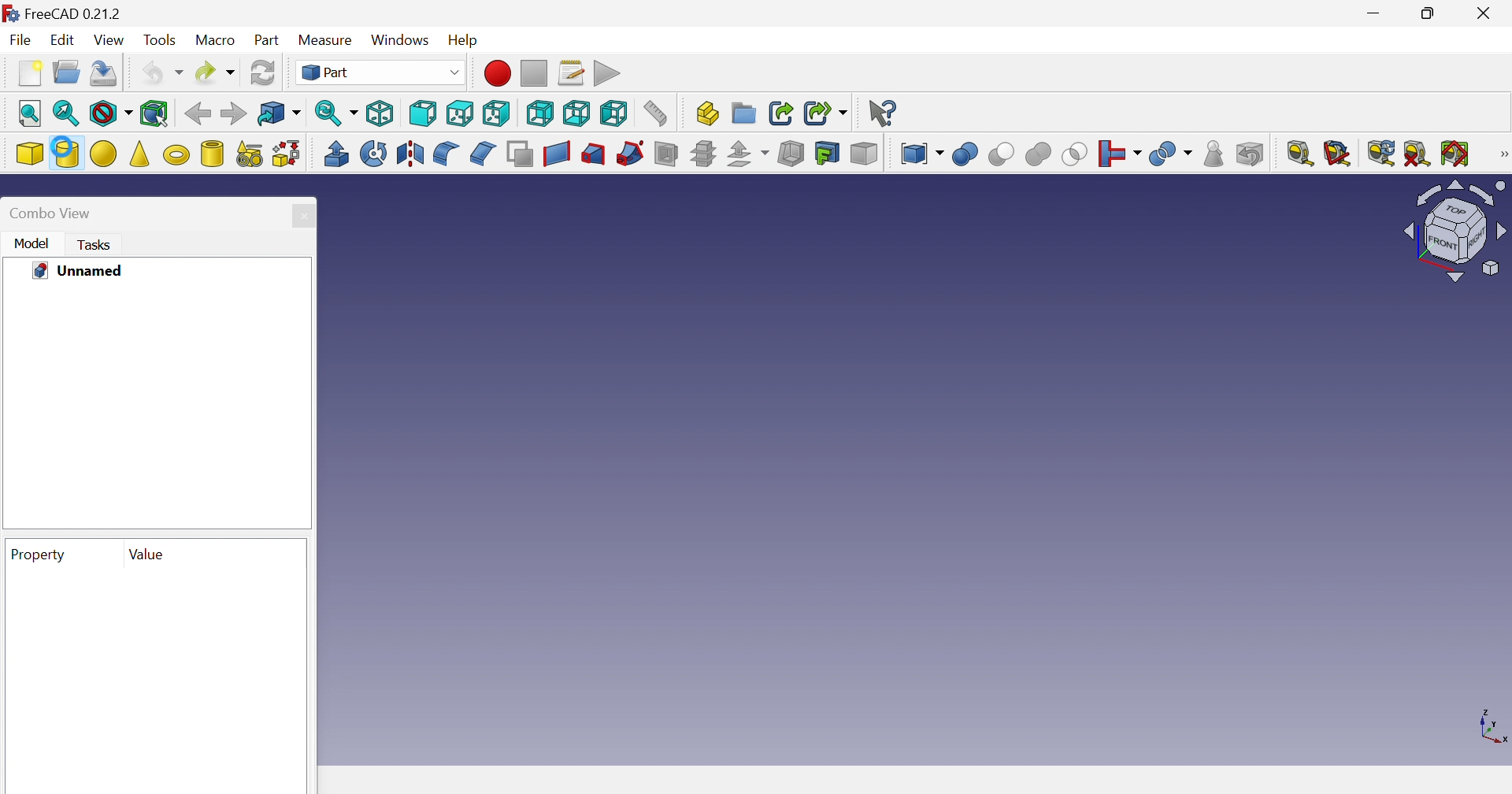 This screenshot has width=1512, height=794. What do you see at coordinates (595, 155) in the screenshot?
I see `Sweep` at bounding box center [595, 155].